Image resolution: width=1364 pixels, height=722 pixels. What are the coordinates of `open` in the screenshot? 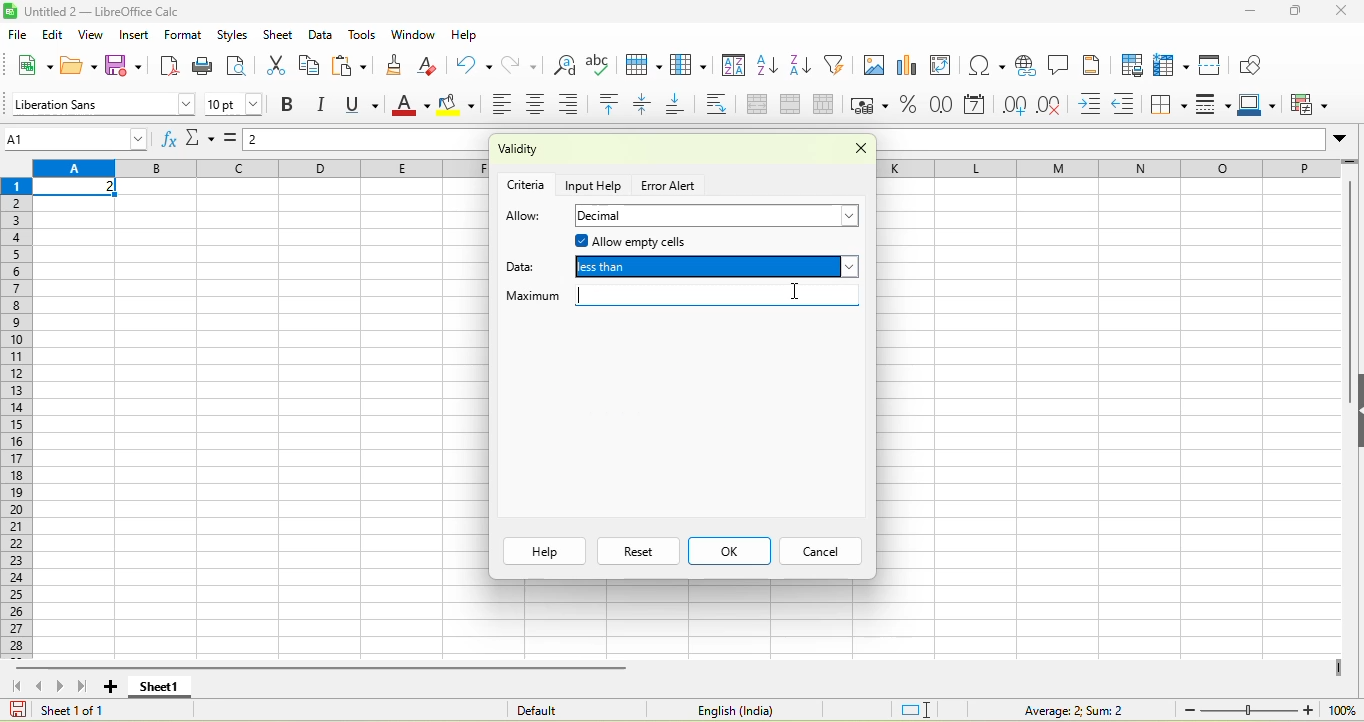 It's located at (79, 64).